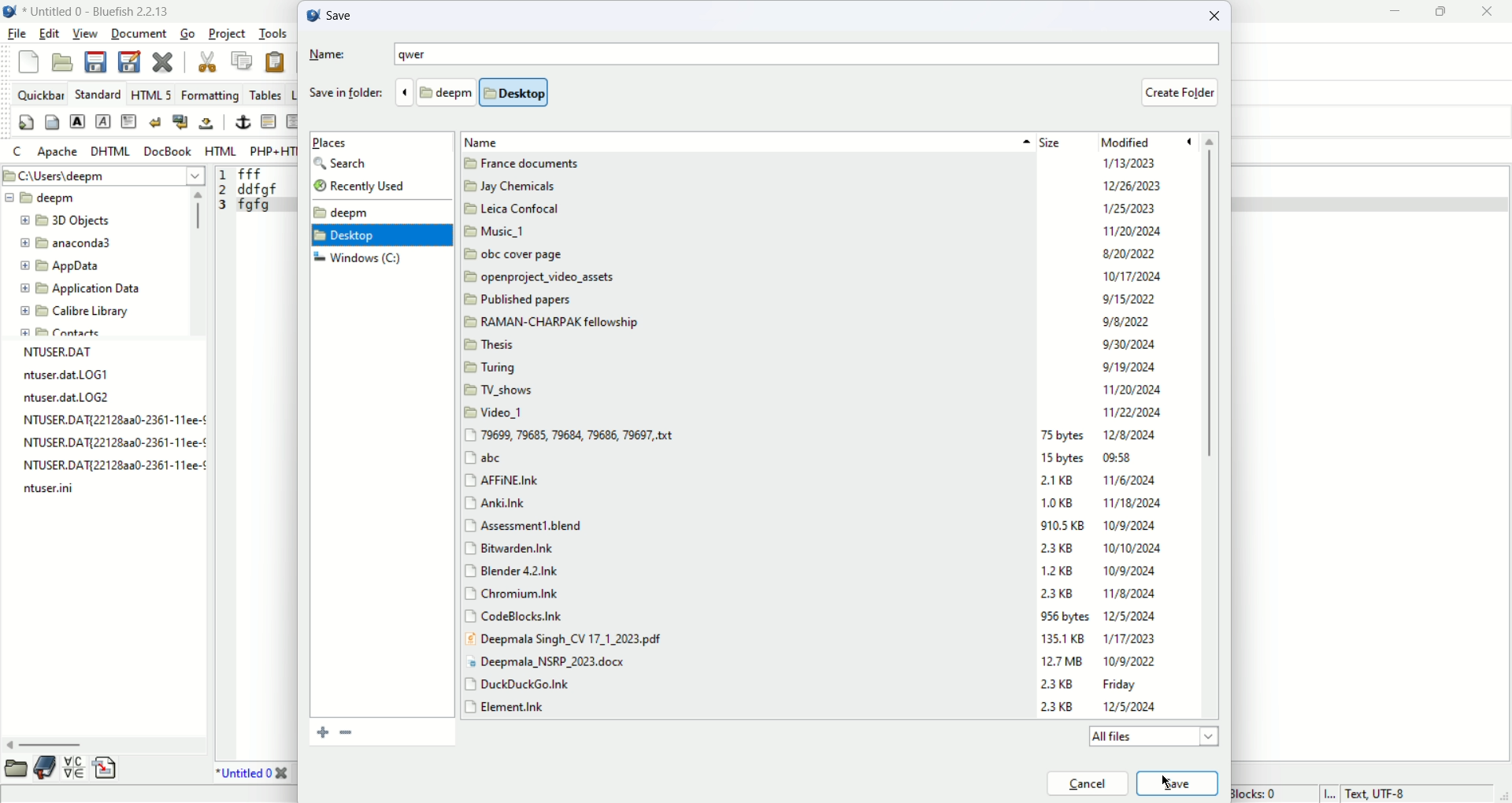  What do you see at coordinates (57, 154) in the screenshot?
I see `apache` at bounding box center [57, 154].